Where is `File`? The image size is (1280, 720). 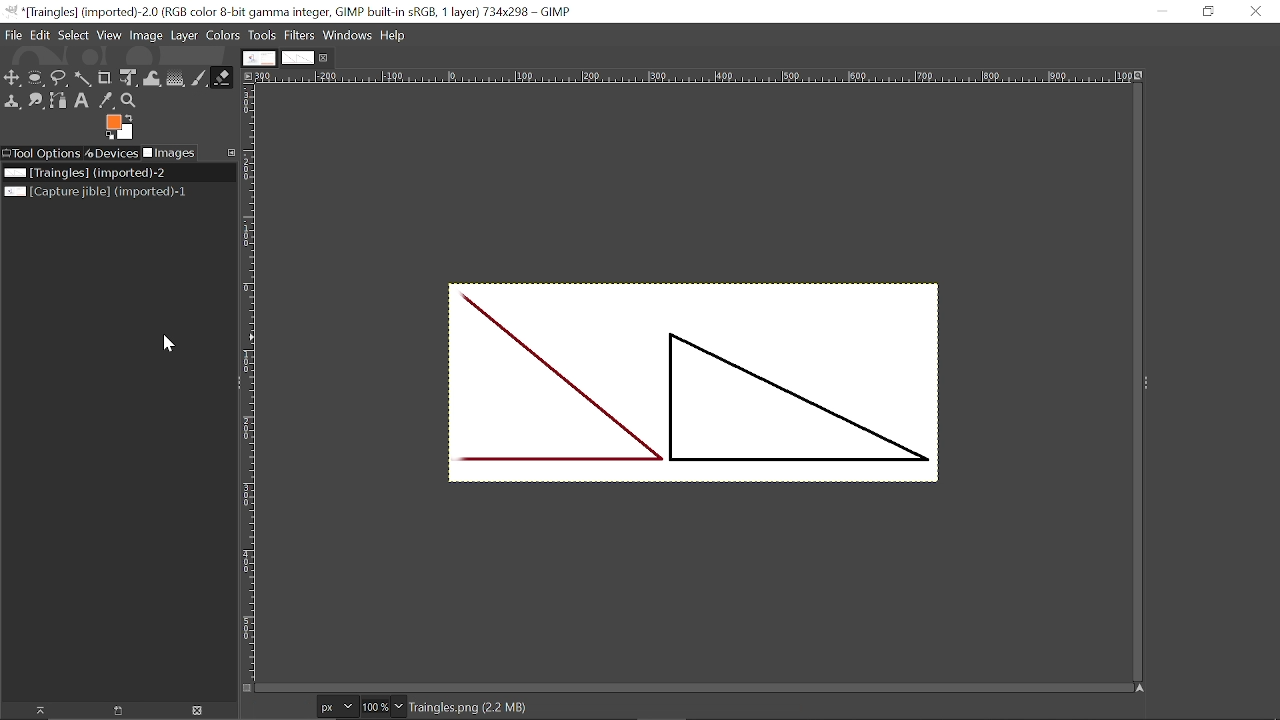
File is located at coordinates (13, 36).